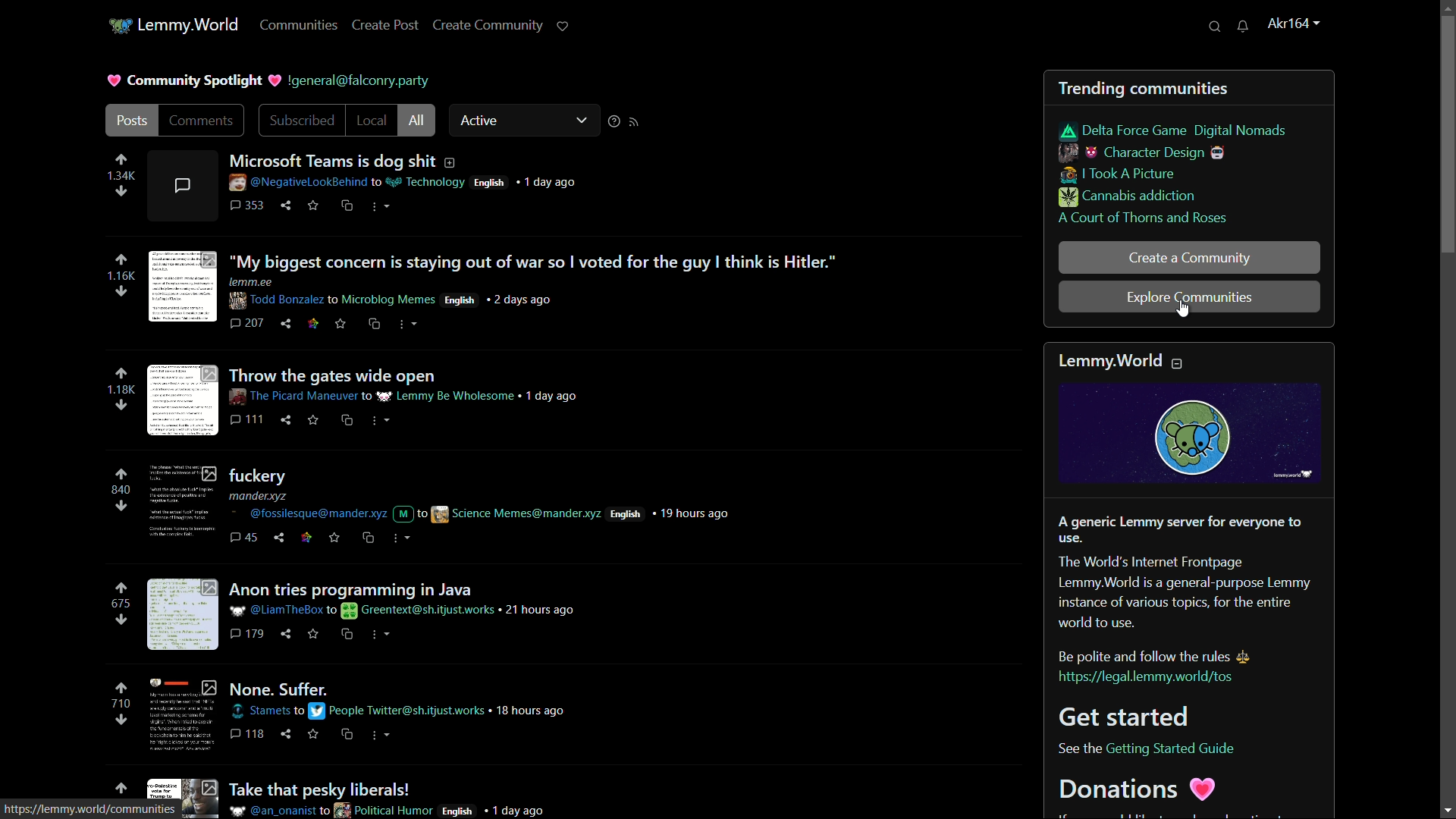  Describe the element at coordinates (309, 536) in the screenshot. I see `link` at that location.